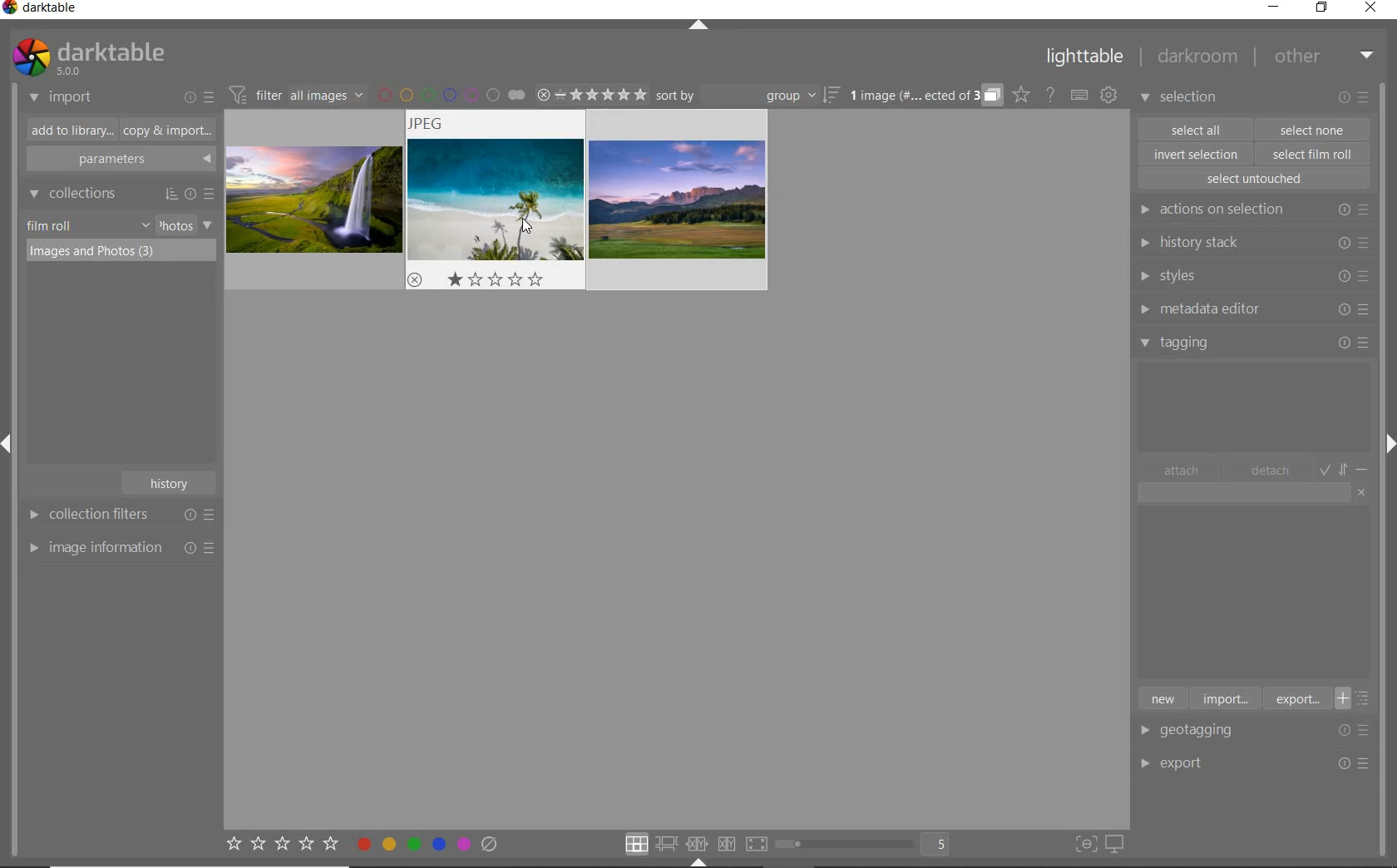 This screenshot has width=1397, height=868. What do you see at coordinates (1345, 468) in the screenshot?
I see `toggle` at bounding box center [1345, 468].